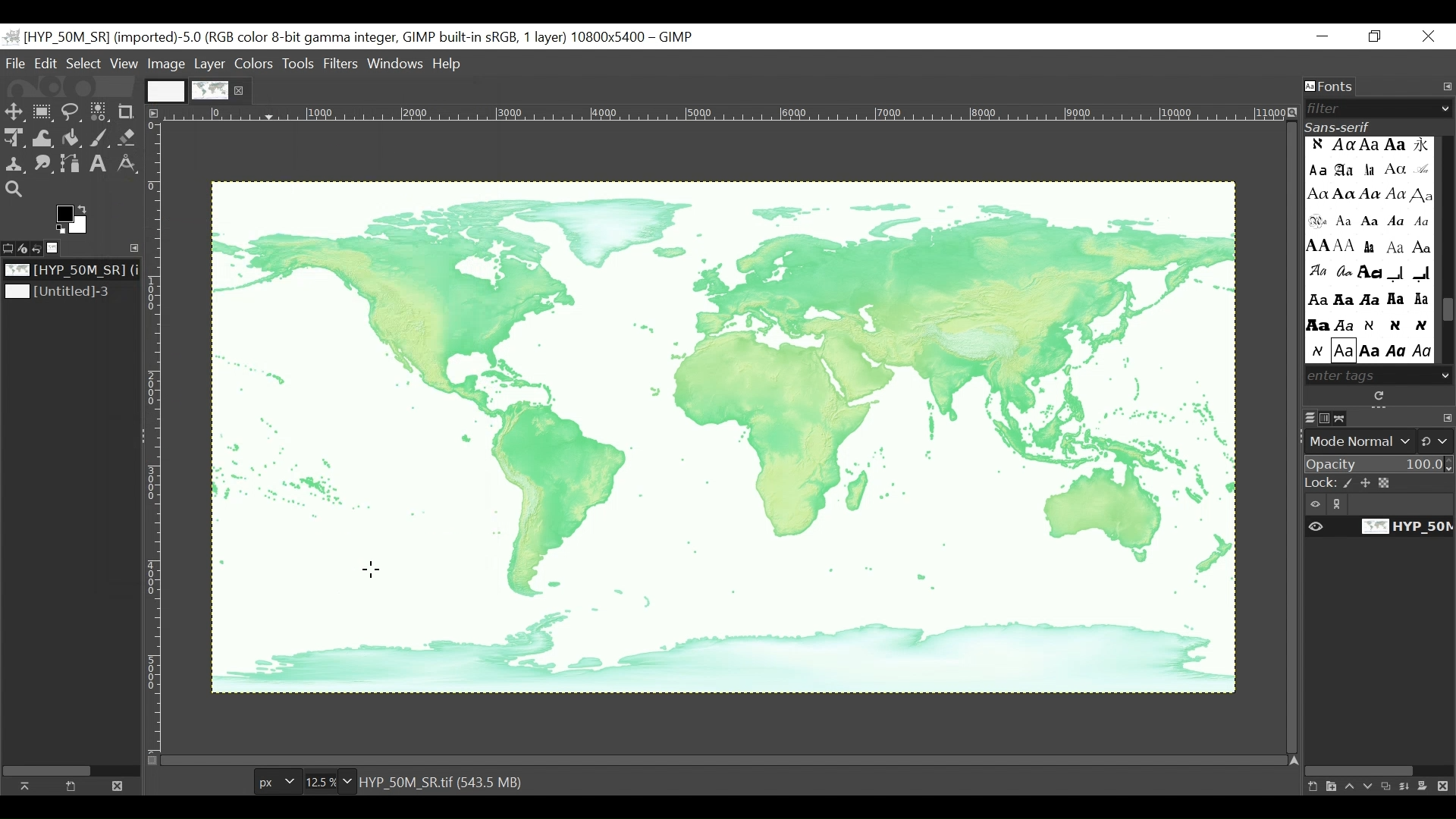  I want to click on layer panel, so click(1375, 782).